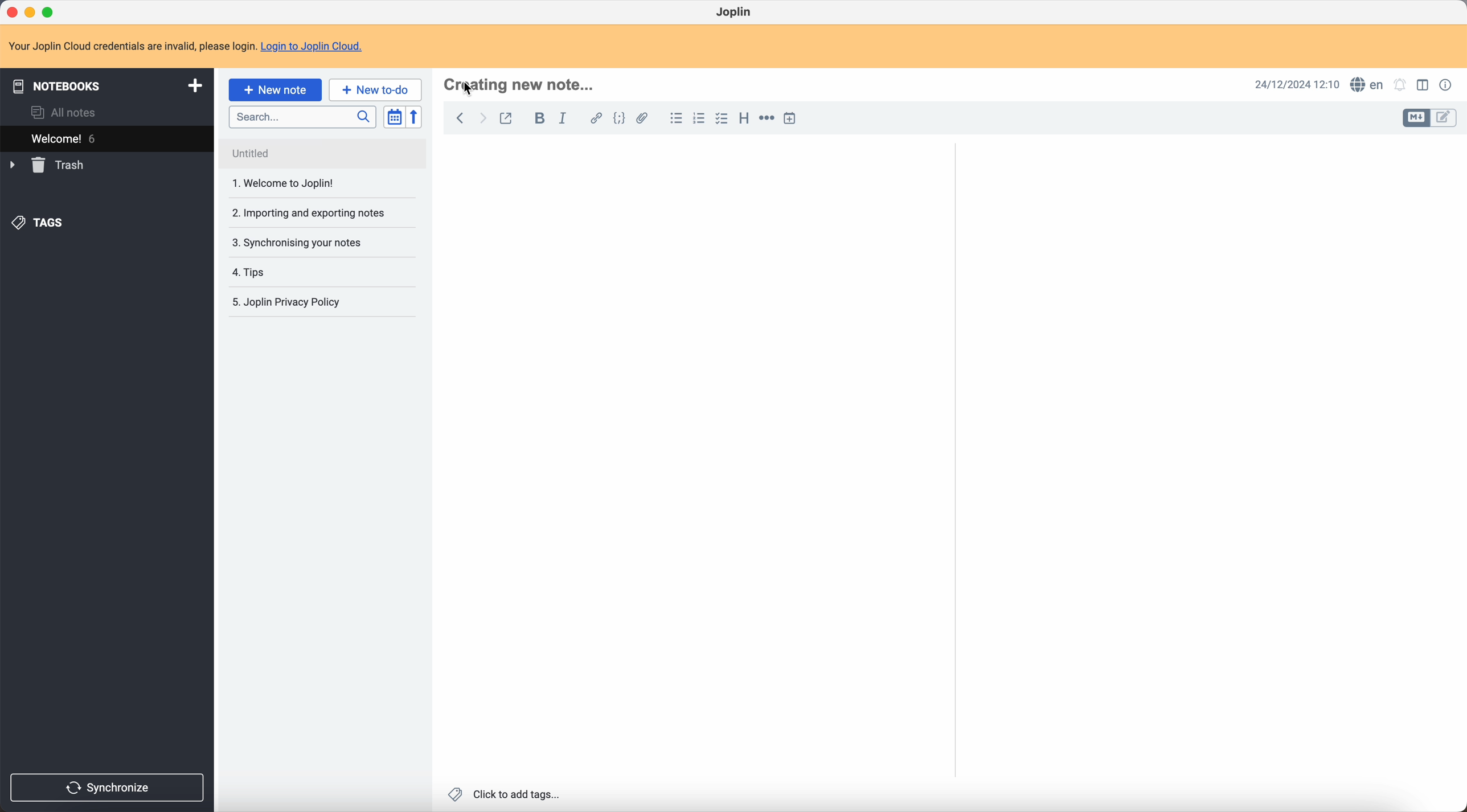 The width and height of the screenshot is (1467, 812). What do you see at coordinates (743, 118) in the screenshot?
I see `heading` at bounding box center [743, 118].